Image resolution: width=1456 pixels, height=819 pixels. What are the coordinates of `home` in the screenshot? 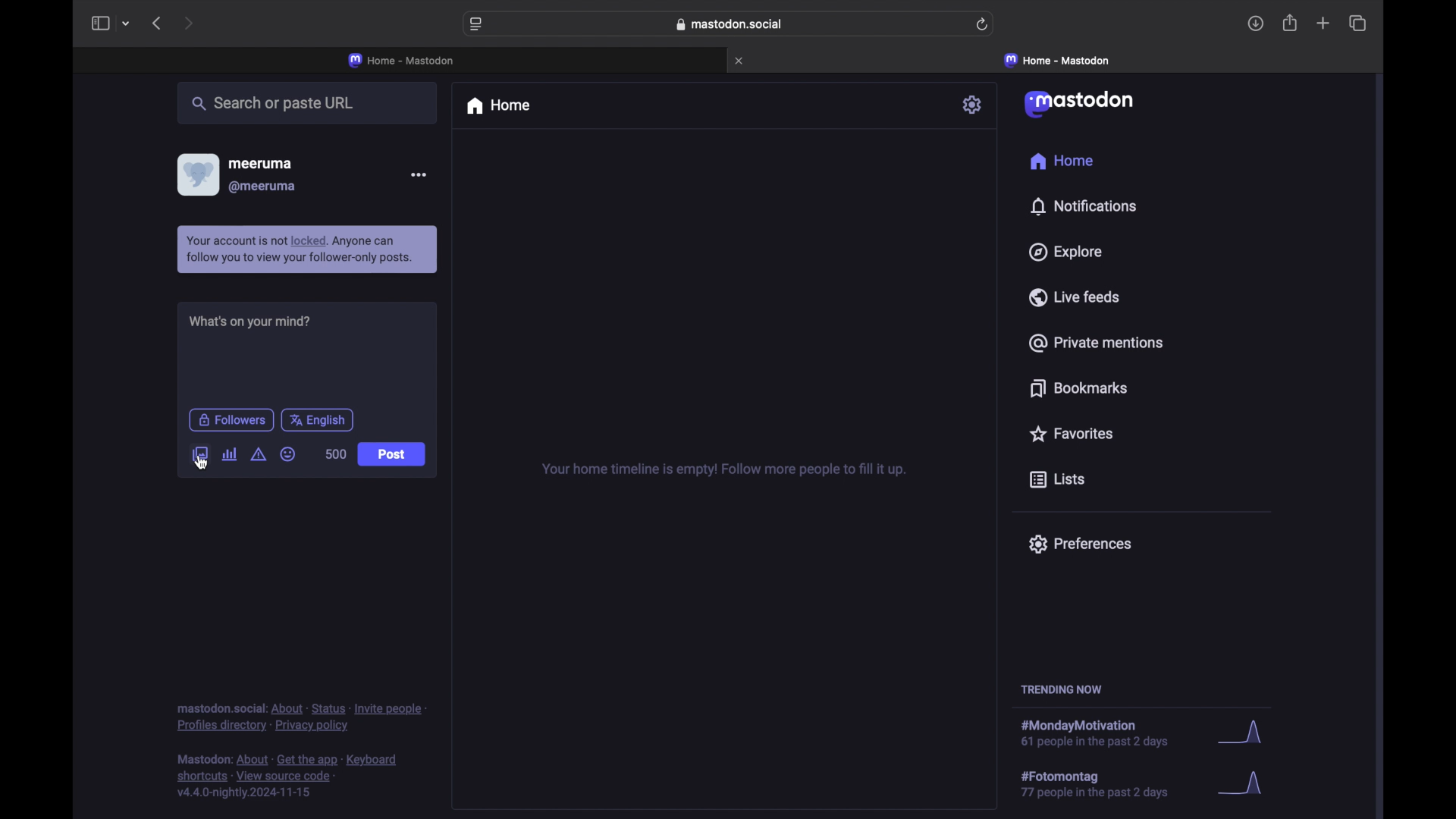 It's located at (500, 107).